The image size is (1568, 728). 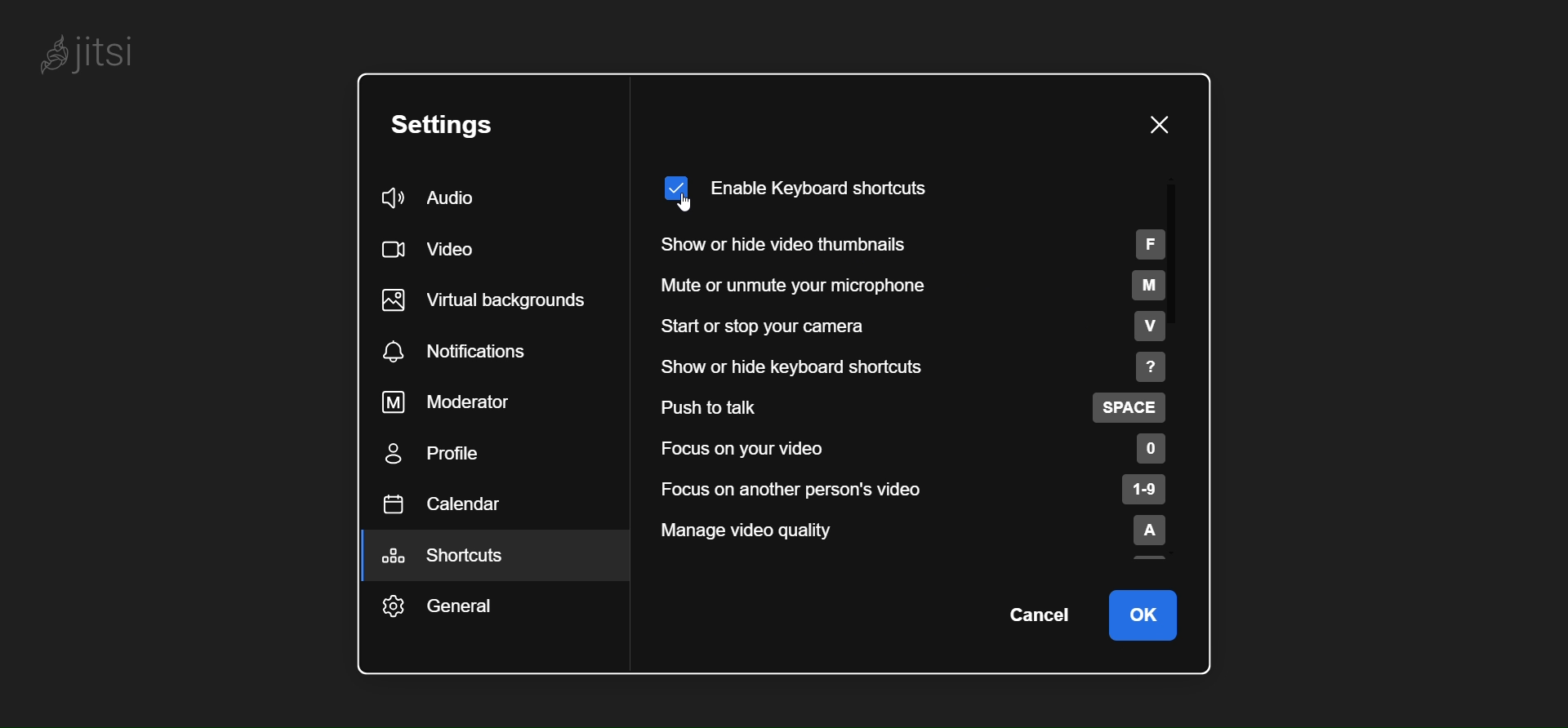 I want to click on profile, so click(x=449, y=456).